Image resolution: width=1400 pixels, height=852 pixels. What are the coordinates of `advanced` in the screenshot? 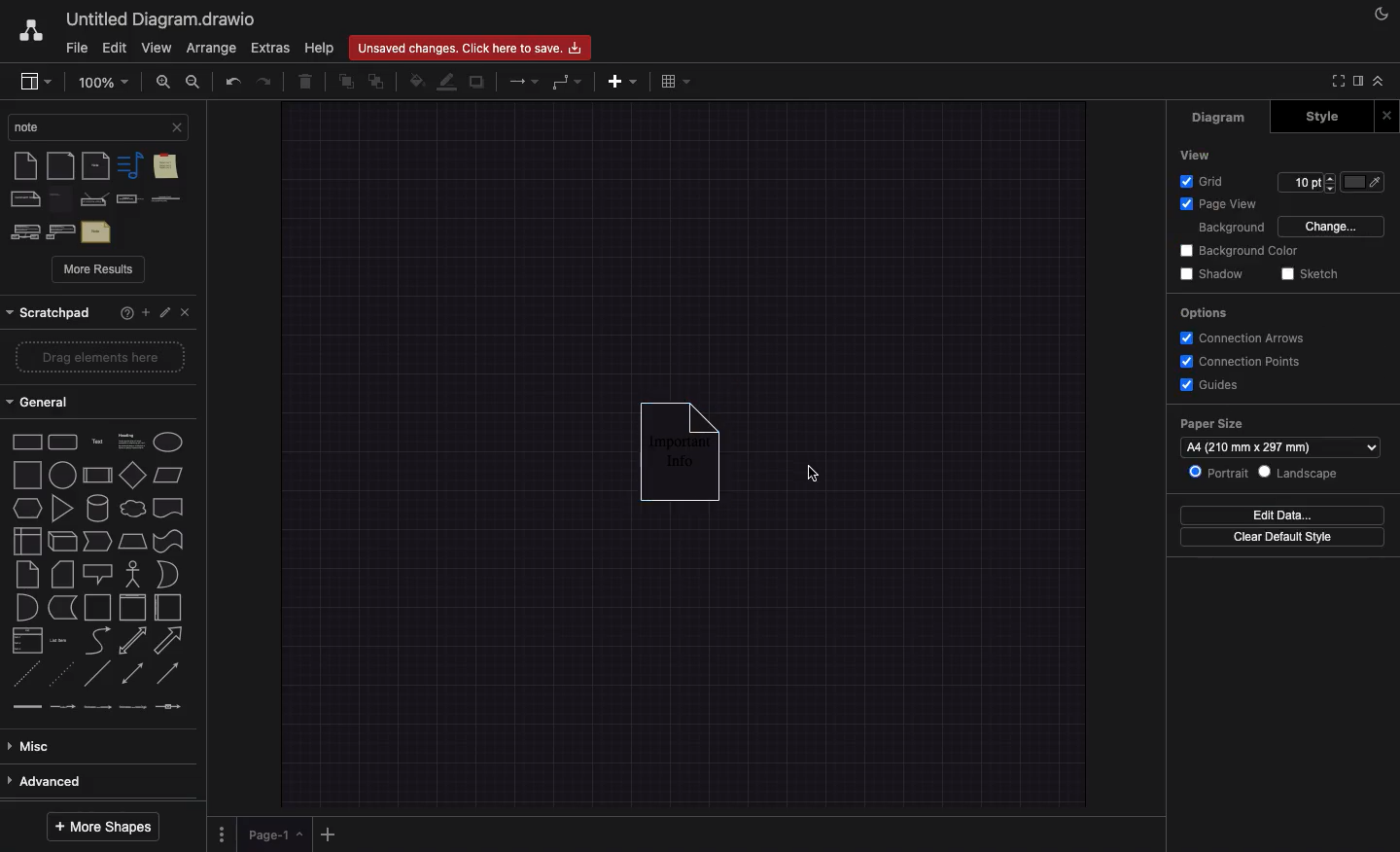 It's located at (90, 781).